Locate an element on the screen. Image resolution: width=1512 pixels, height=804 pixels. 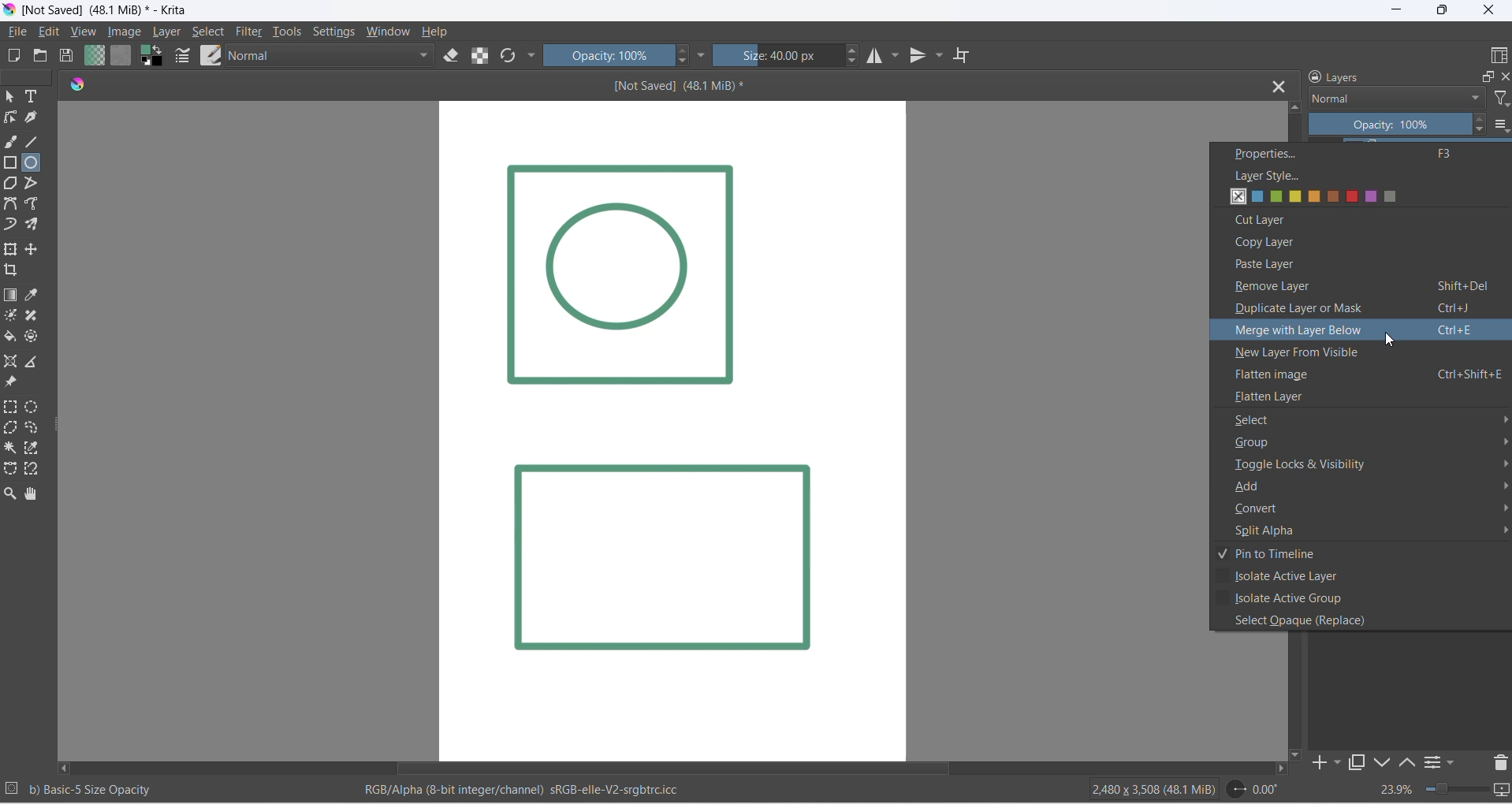
zoom tool is located at coordinates (10, 493).